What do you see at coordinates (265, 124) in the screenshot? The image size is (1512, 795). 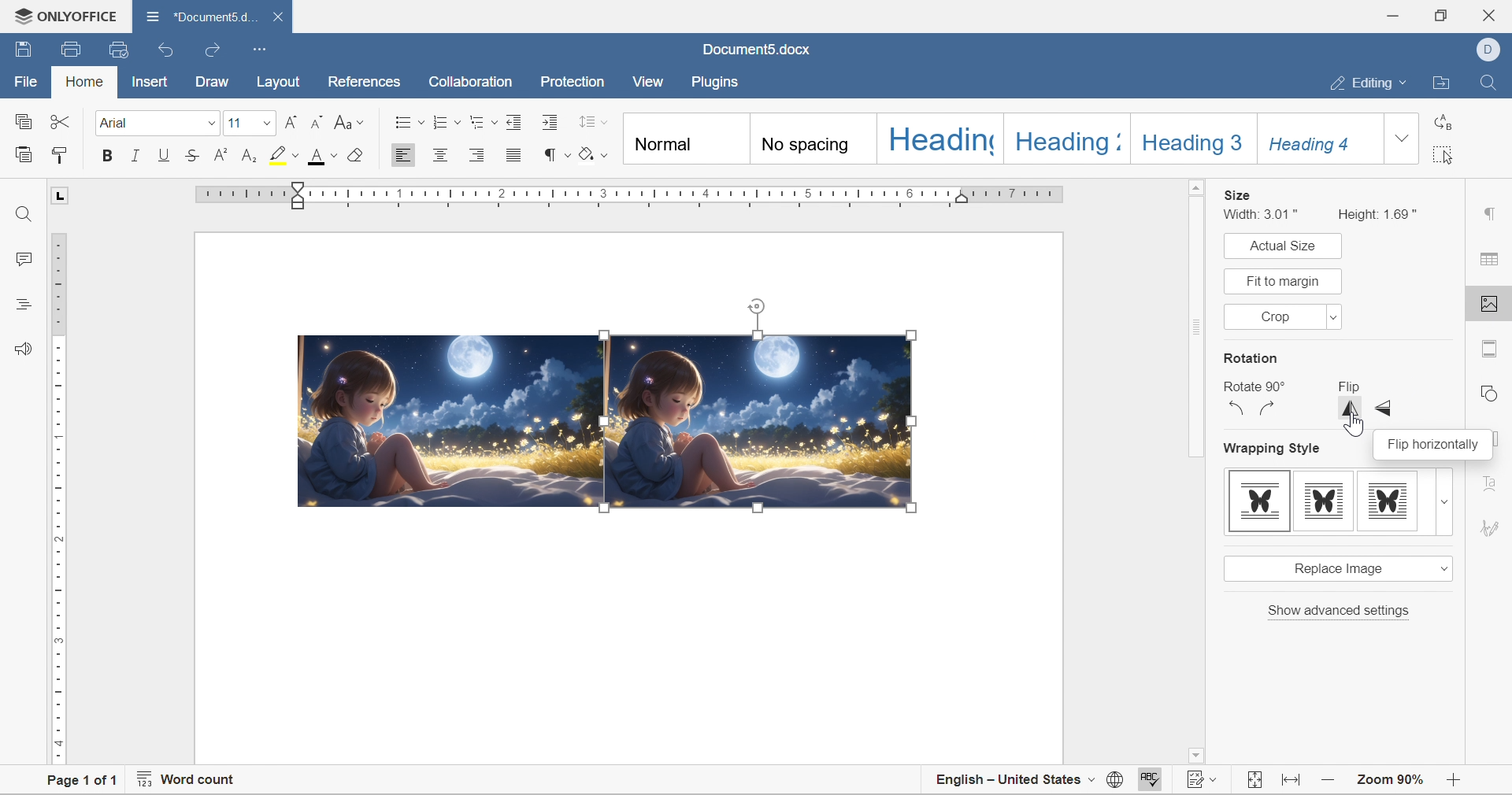 I see `drop down` at bounding box center [265, 124].